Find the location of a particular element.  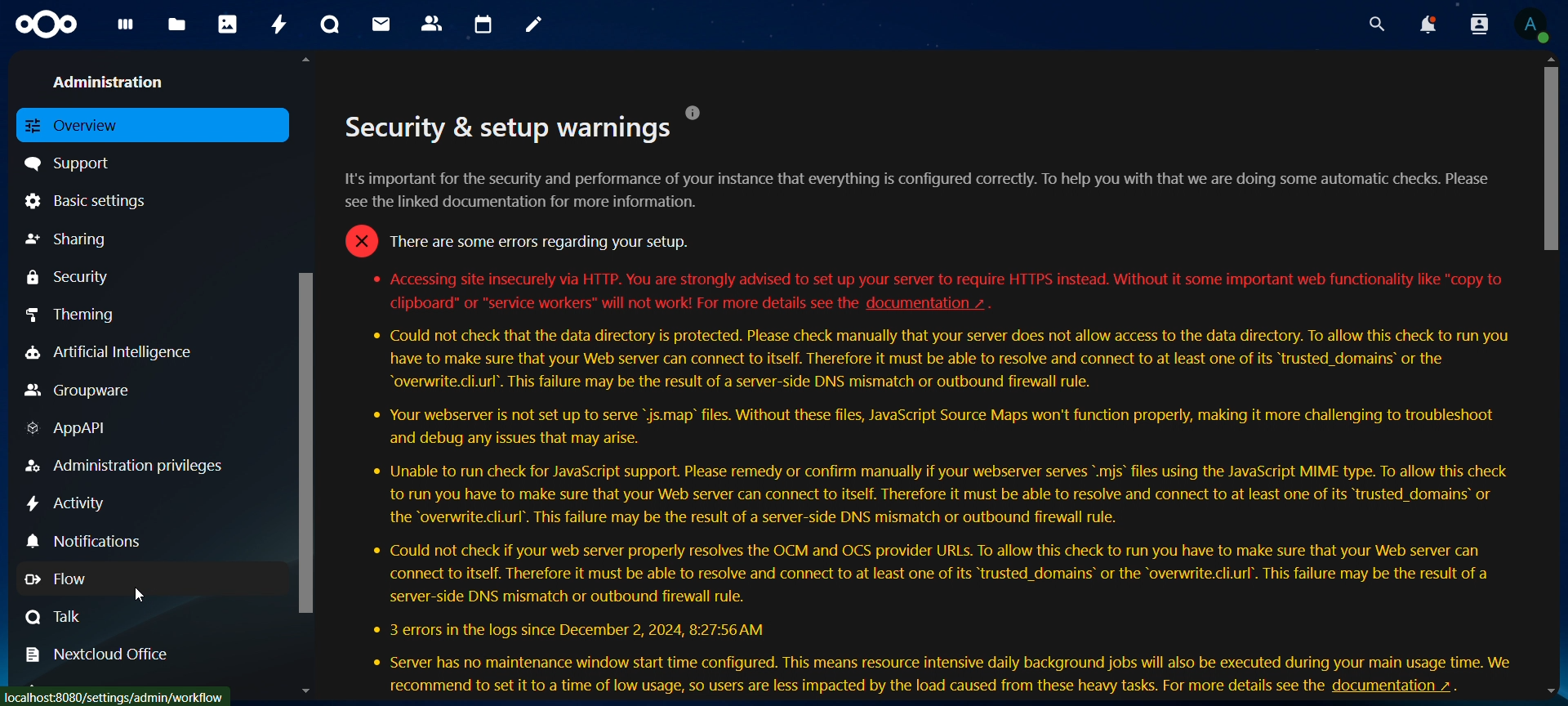

admnistration privileges is located at coordinates (127, 466).